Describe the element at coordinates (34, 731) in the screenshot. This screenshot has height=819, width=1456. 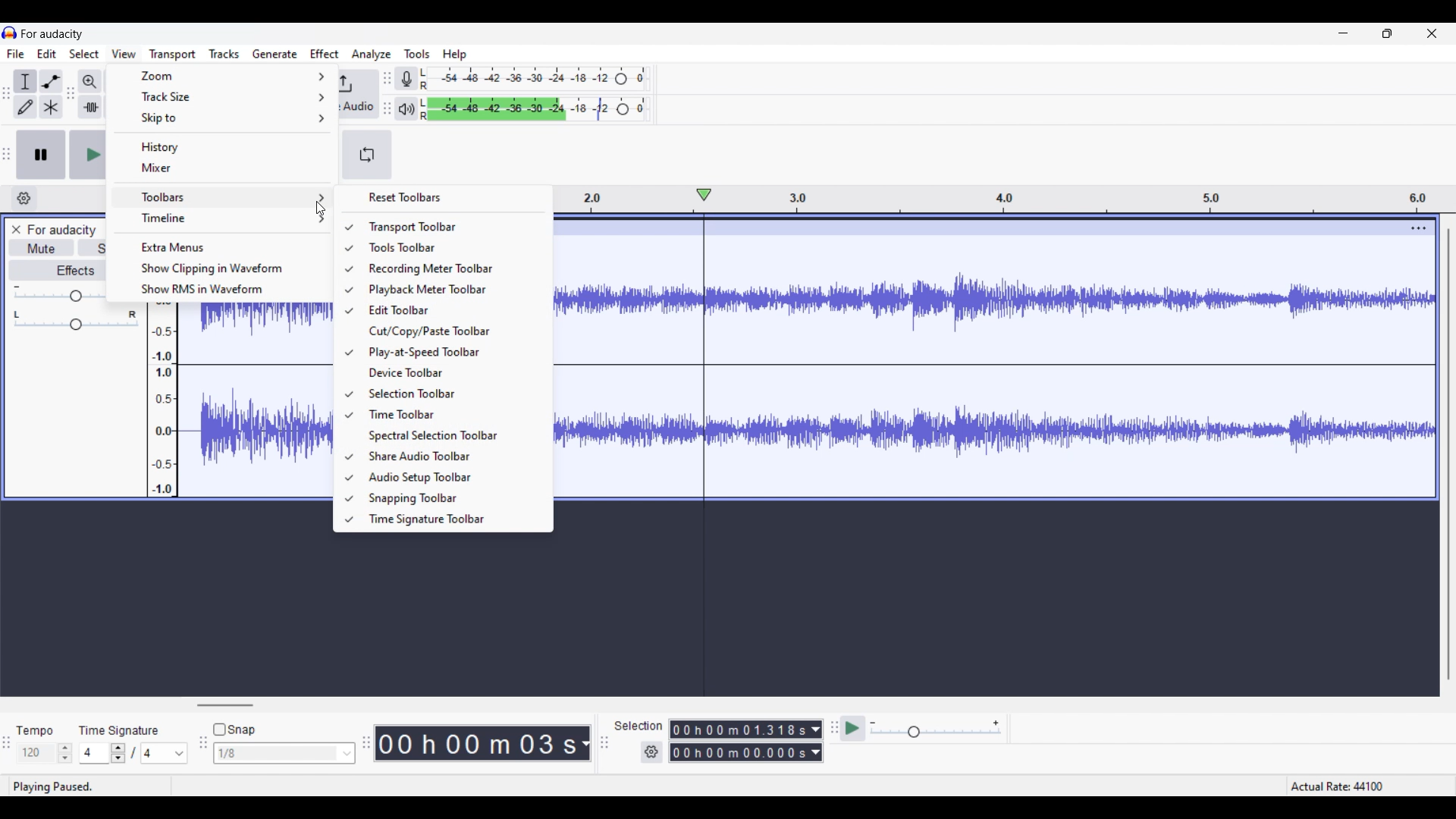
I see `Indicates Tempo settings` at that location.